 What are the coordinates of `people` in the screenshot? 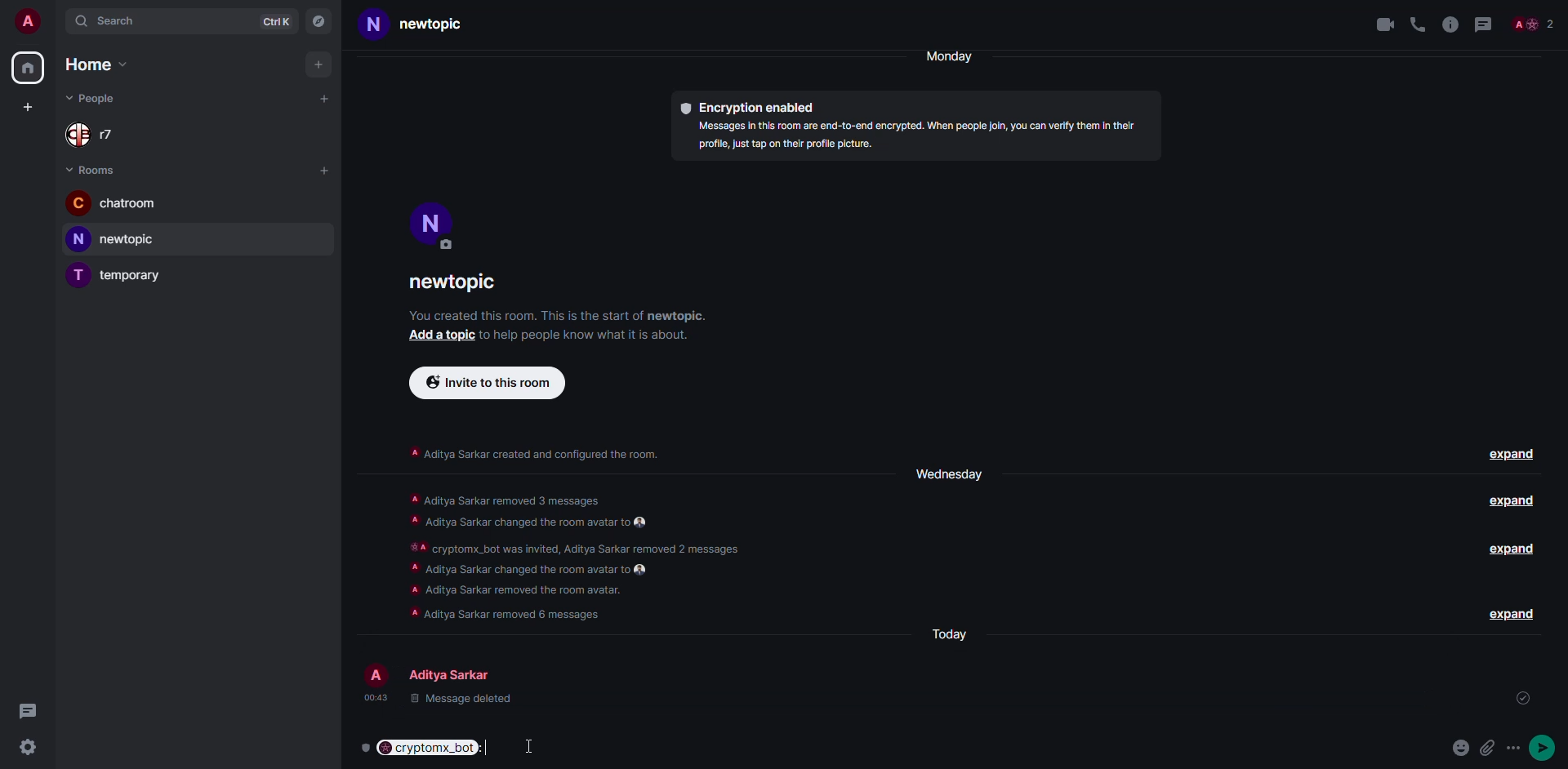 It's located at (1536, 24).